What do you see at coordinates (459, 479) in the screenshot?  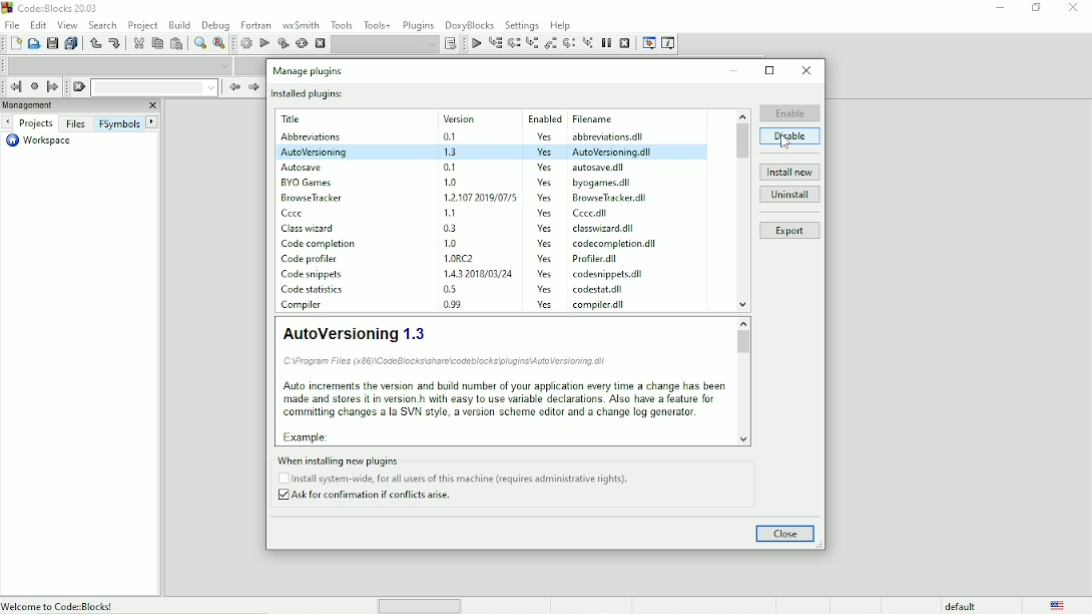 I see `install system-wide, for all users of this machine (requires administrative rights).` at bounding box center [459, 479].